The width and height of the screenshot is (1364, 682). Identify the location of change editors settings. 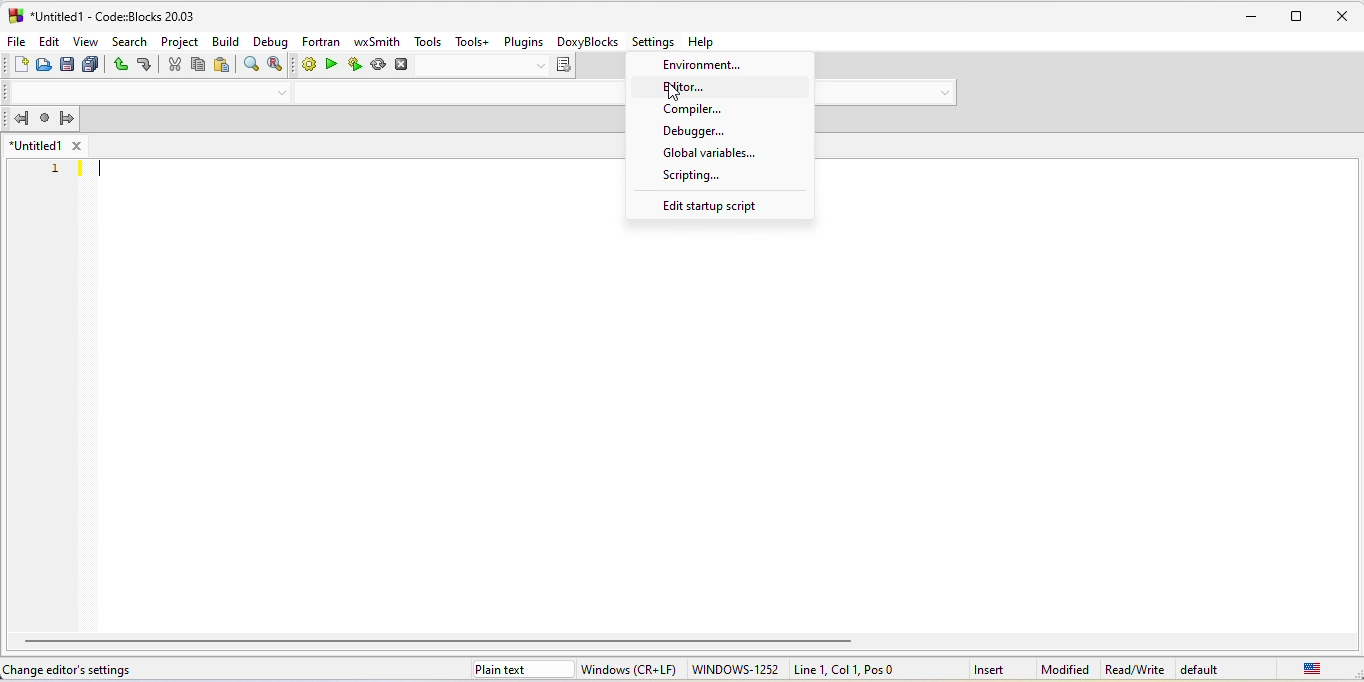
(73, 671).